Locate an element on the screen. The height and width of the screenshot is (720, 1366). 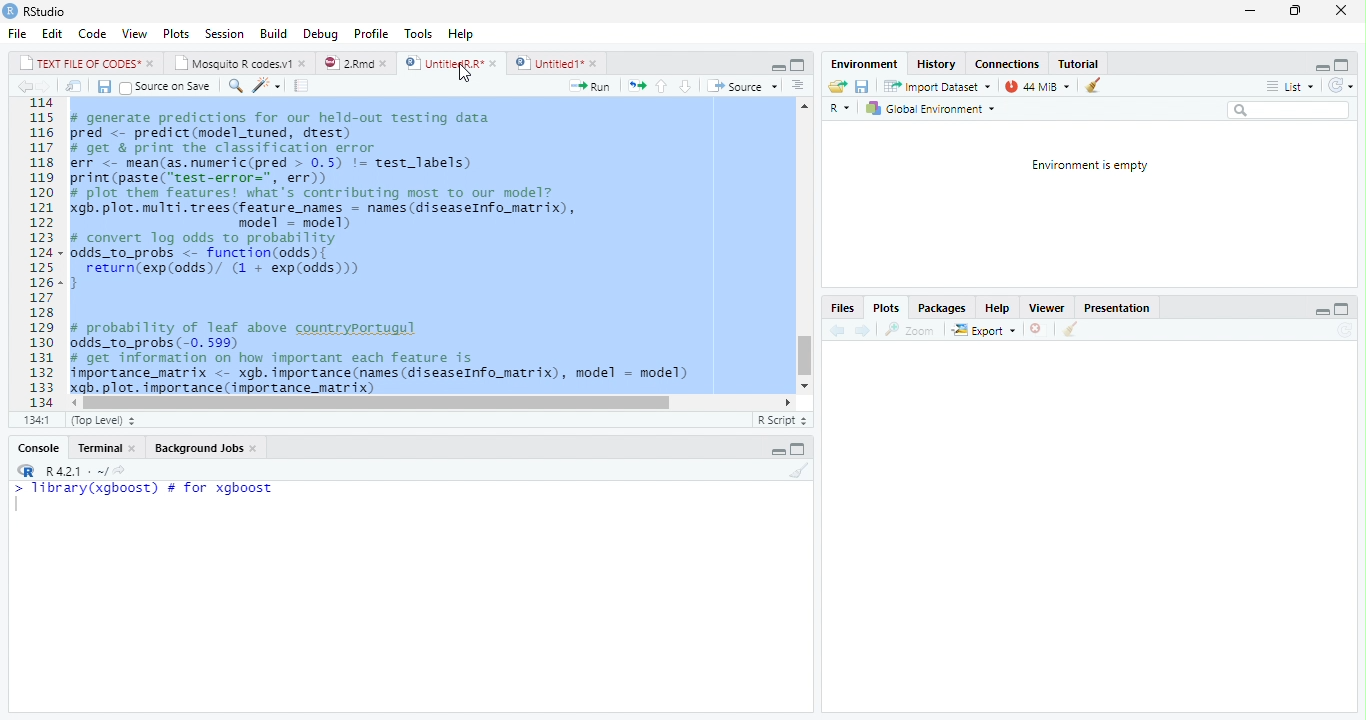
Close is located at coordinates (1340, 11).